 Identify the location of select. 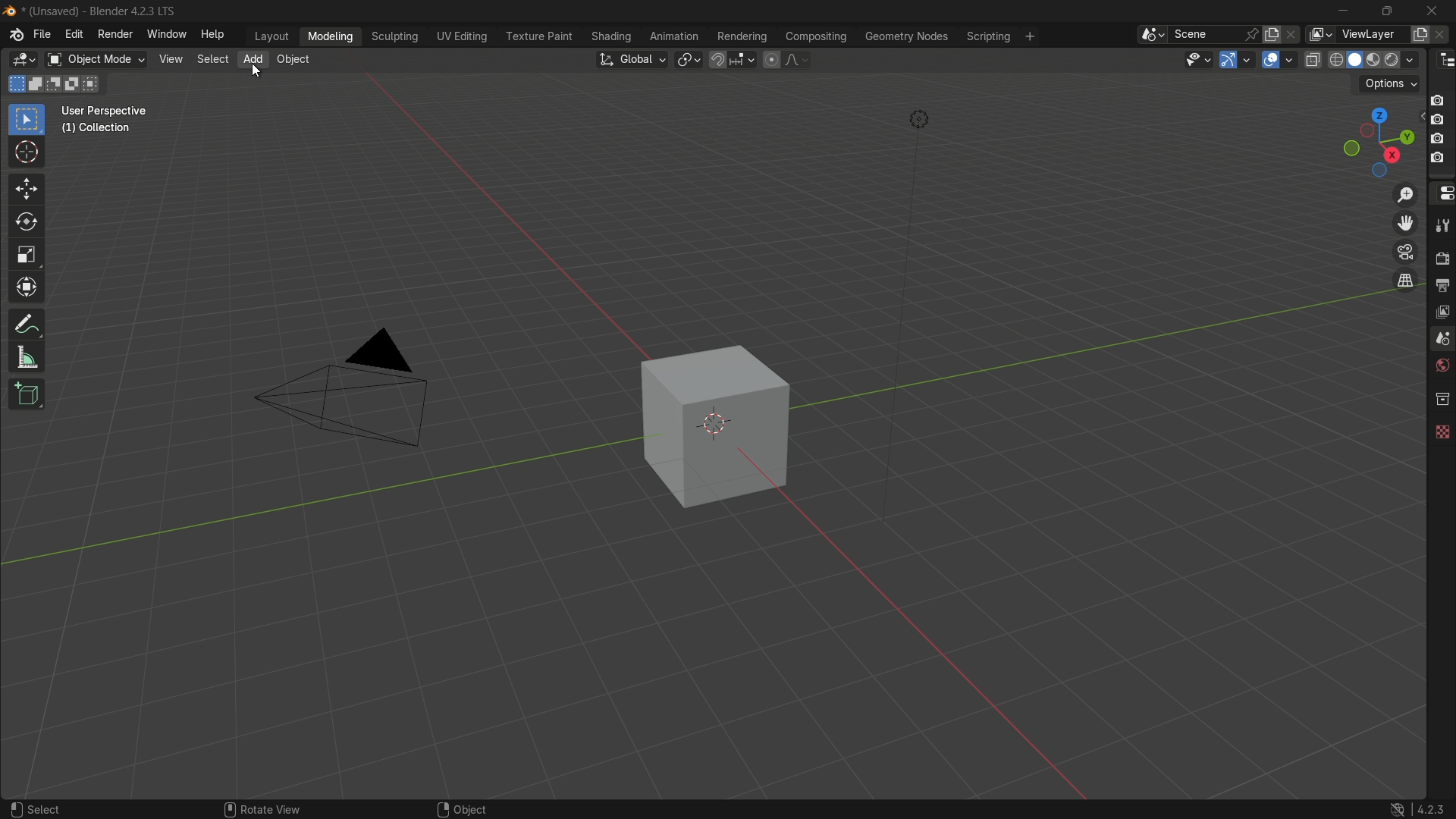
(212, 58).